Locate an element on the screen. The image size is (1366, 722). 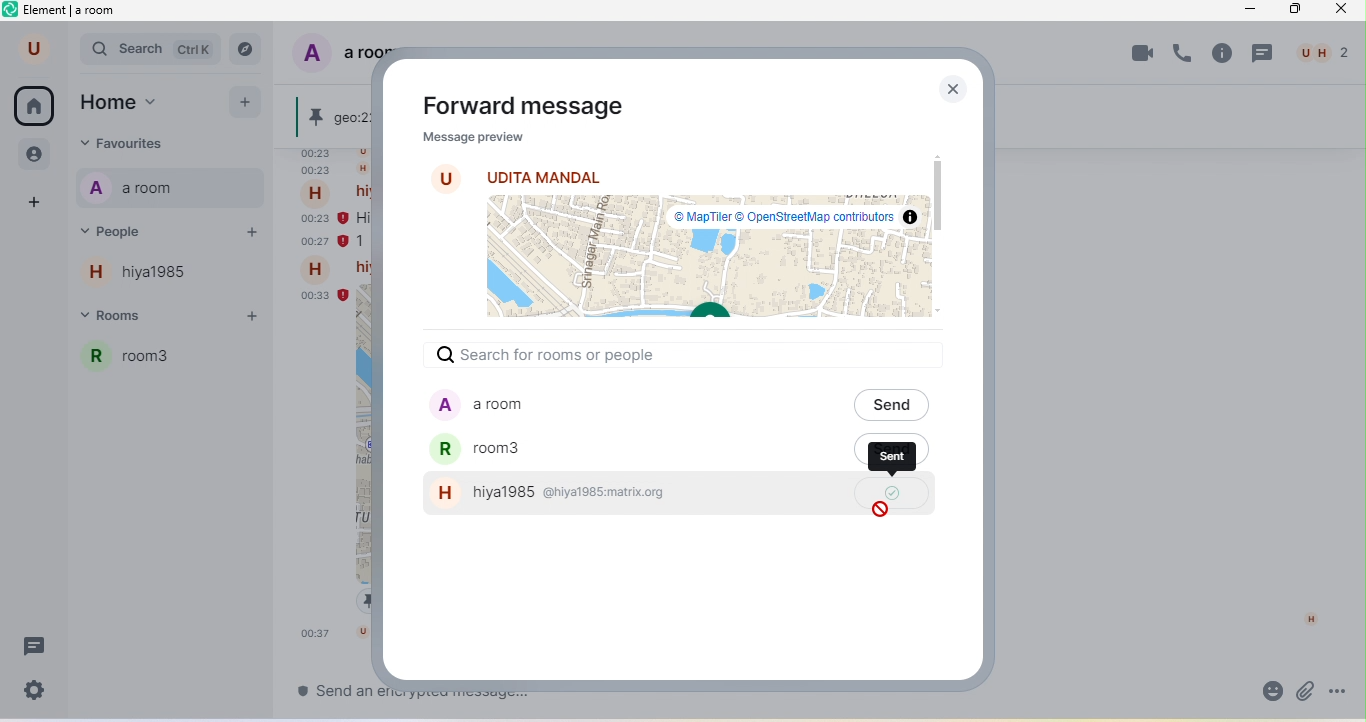
vertical scroll bar is located at coordinates (941, 189).